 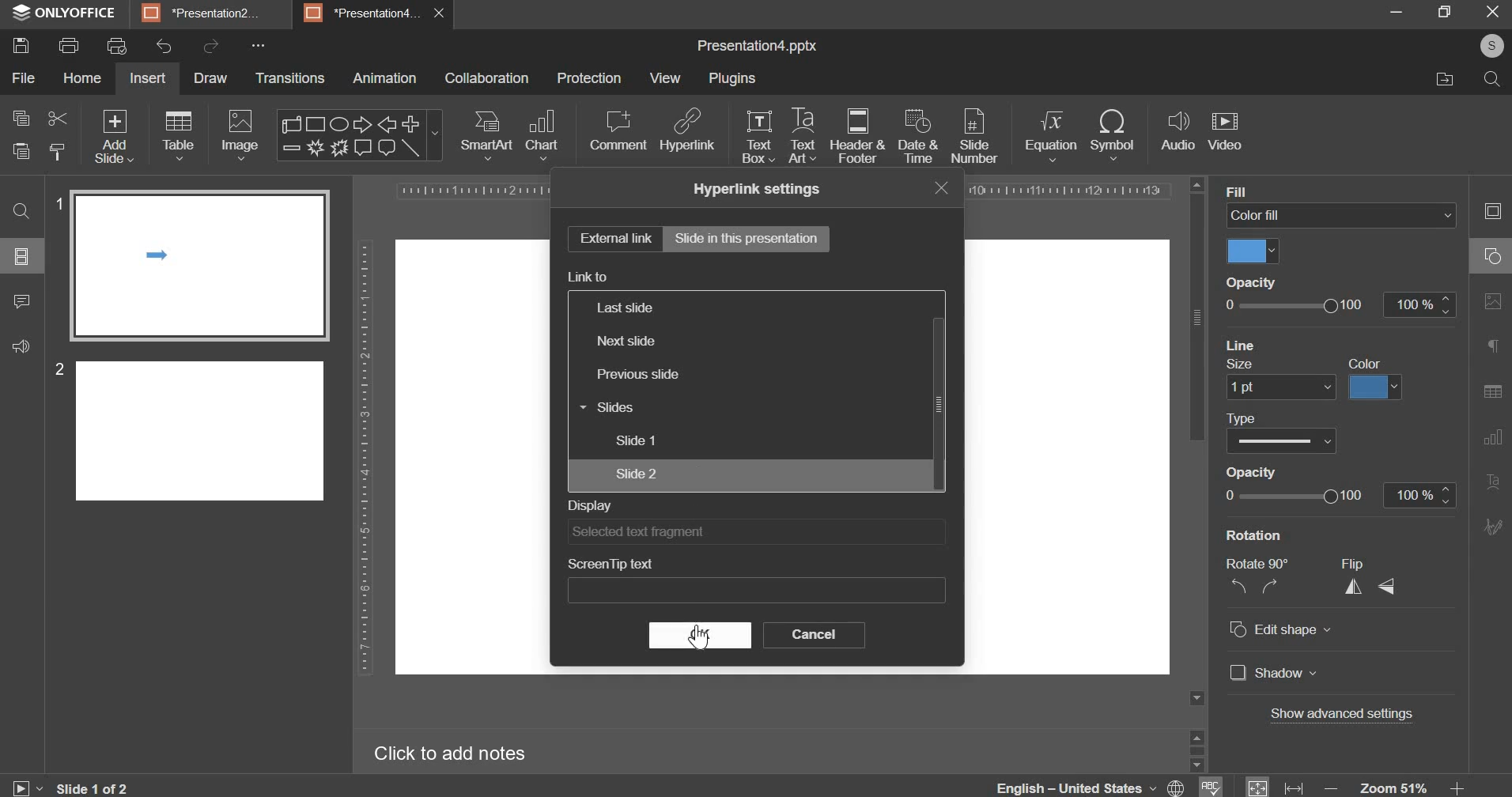 What do you see at coordinates (948, 189) in the screenshot?
I see `close` at bounding box center [948, 189].